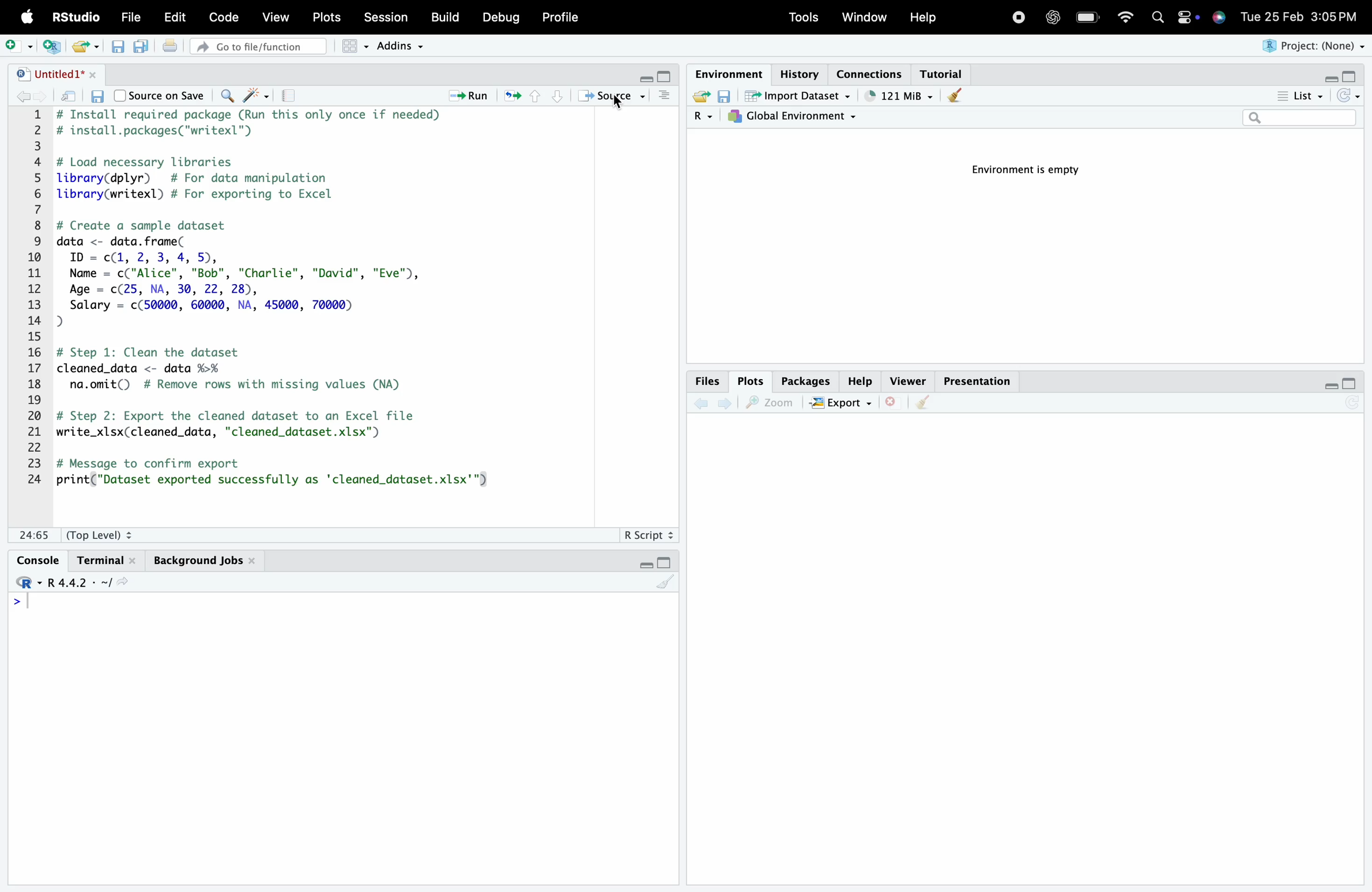 The image size is (1372, 892). Describe the element at coordinates (118, 48) in the screenshot. I see `Save current document (Ctrl + S)` at that location.